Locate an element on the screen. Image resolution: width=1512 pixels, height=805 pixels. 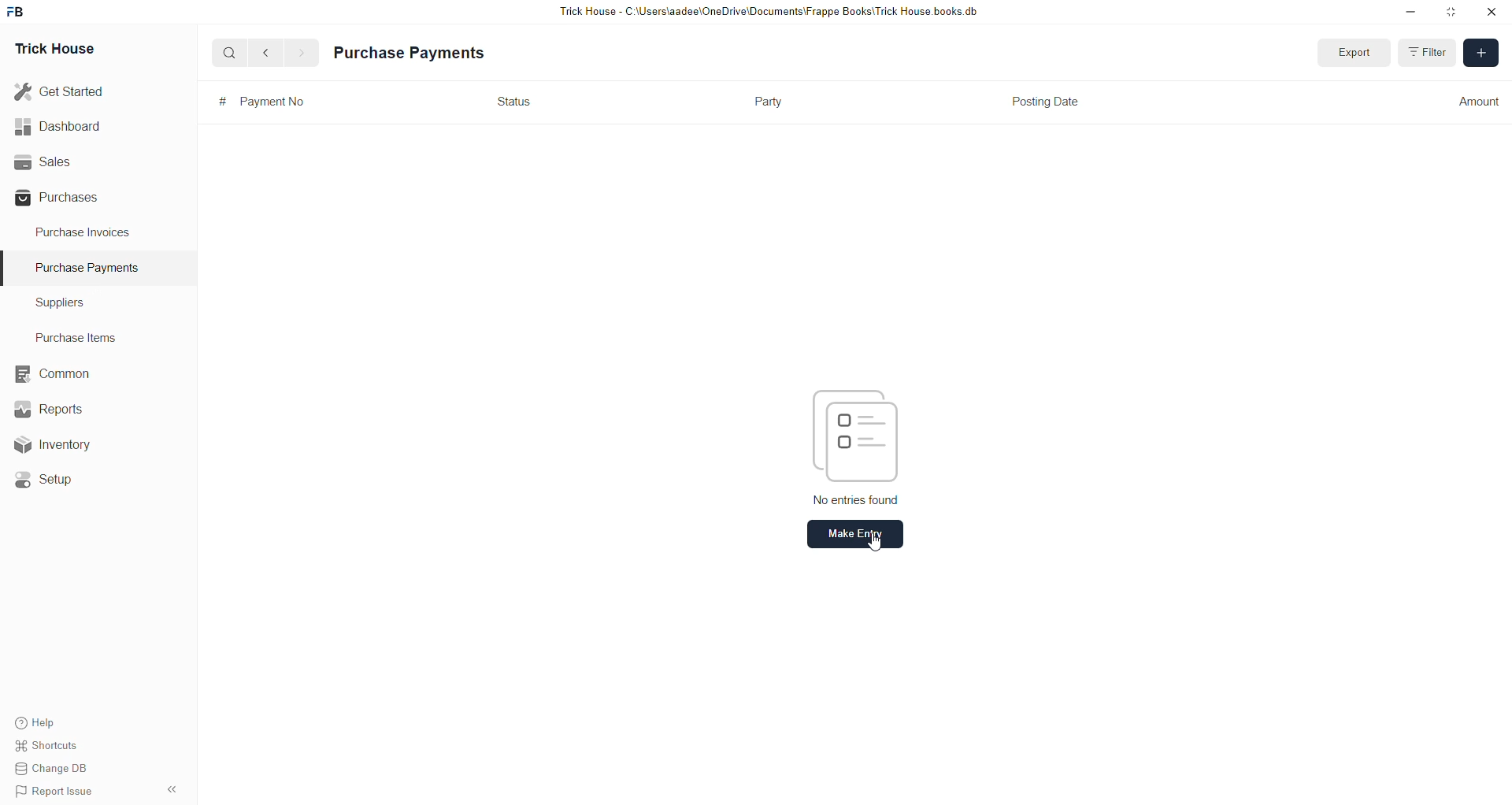
Report Issue is located at coordinates (51, 789).